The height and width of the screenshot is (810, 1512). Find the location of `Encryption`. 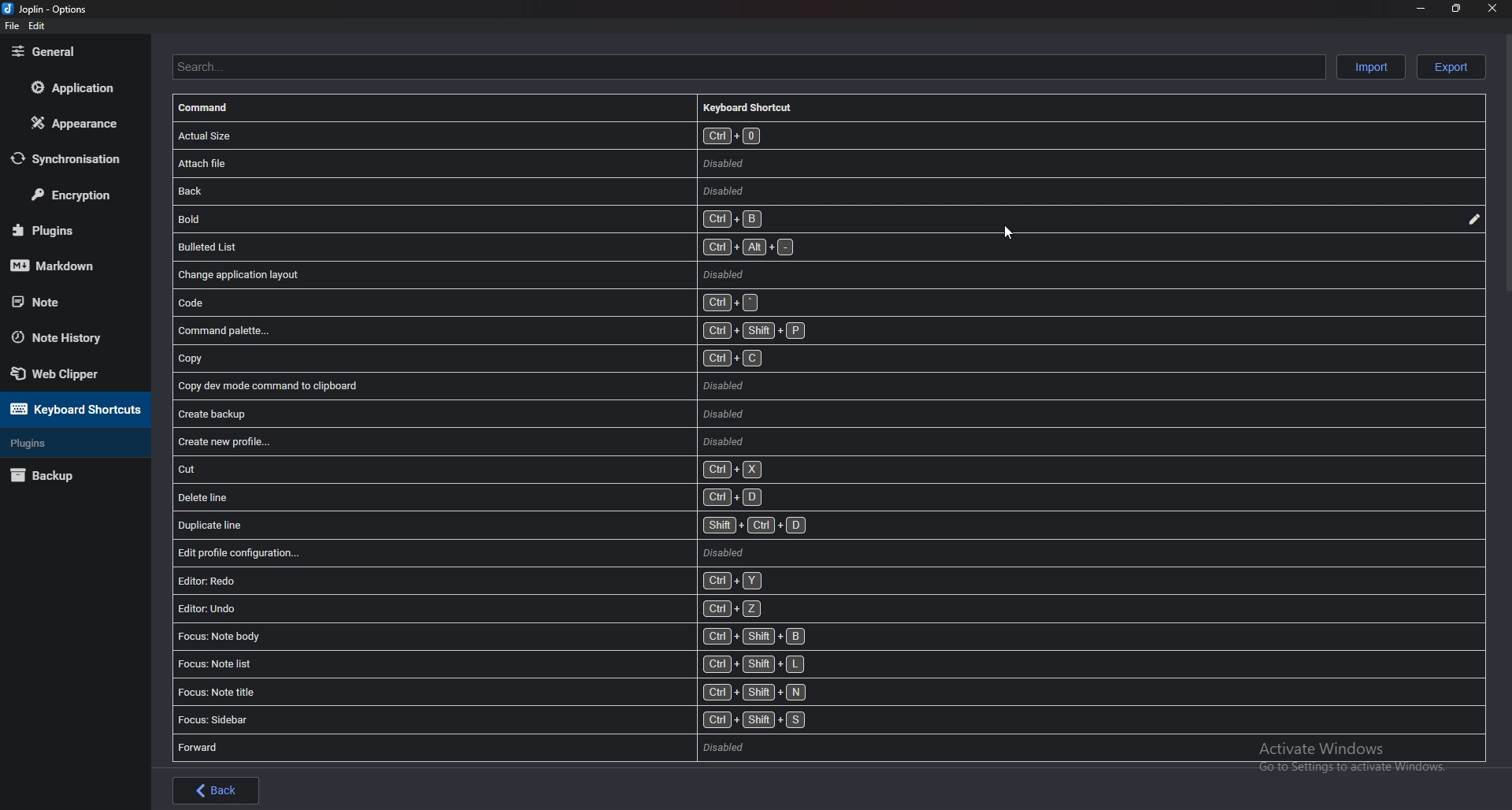

Encryption is located at coordinates (77, 195).